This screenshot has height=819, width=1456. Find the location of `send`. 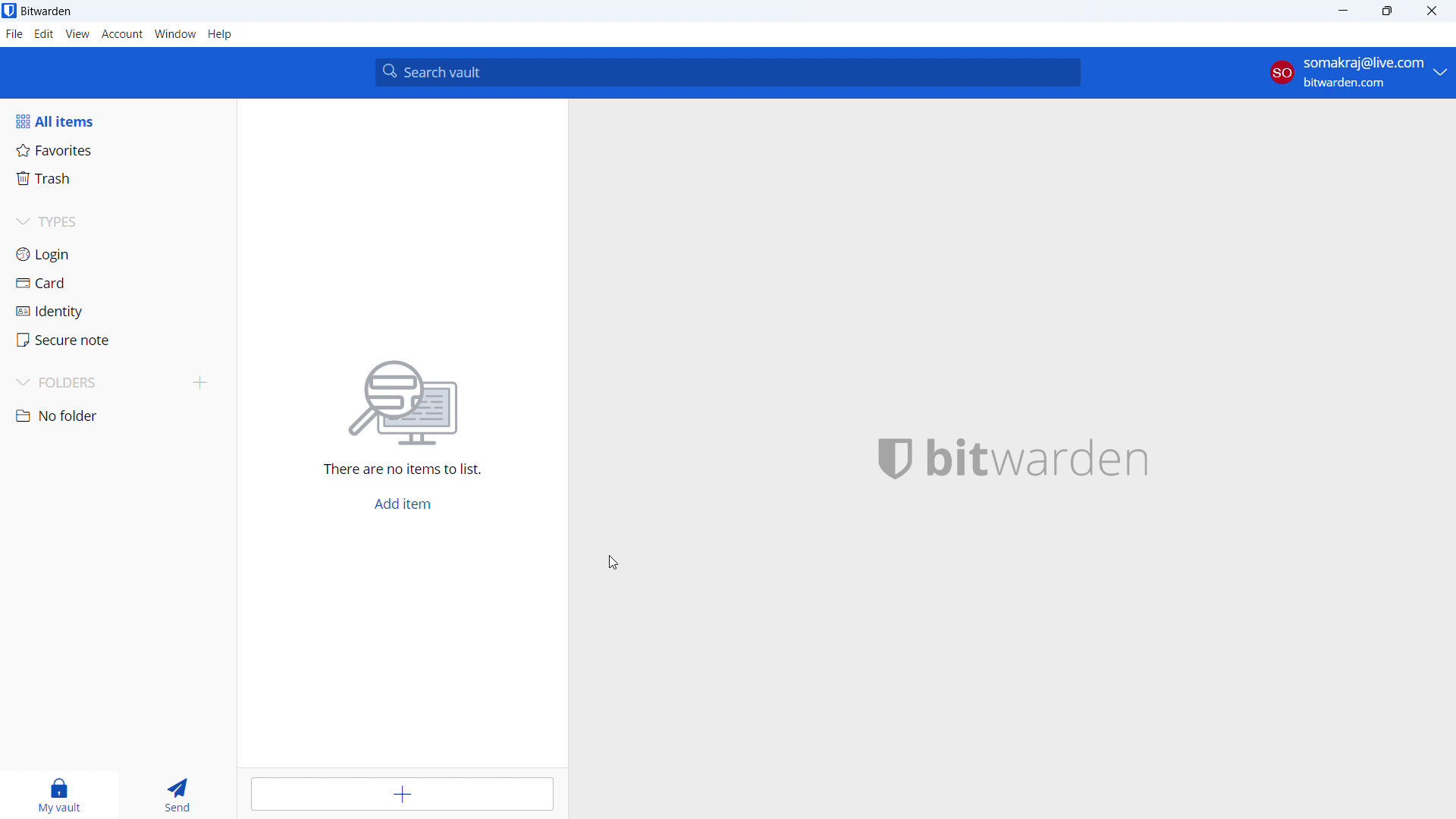

send is located at coordinates (177, 796).